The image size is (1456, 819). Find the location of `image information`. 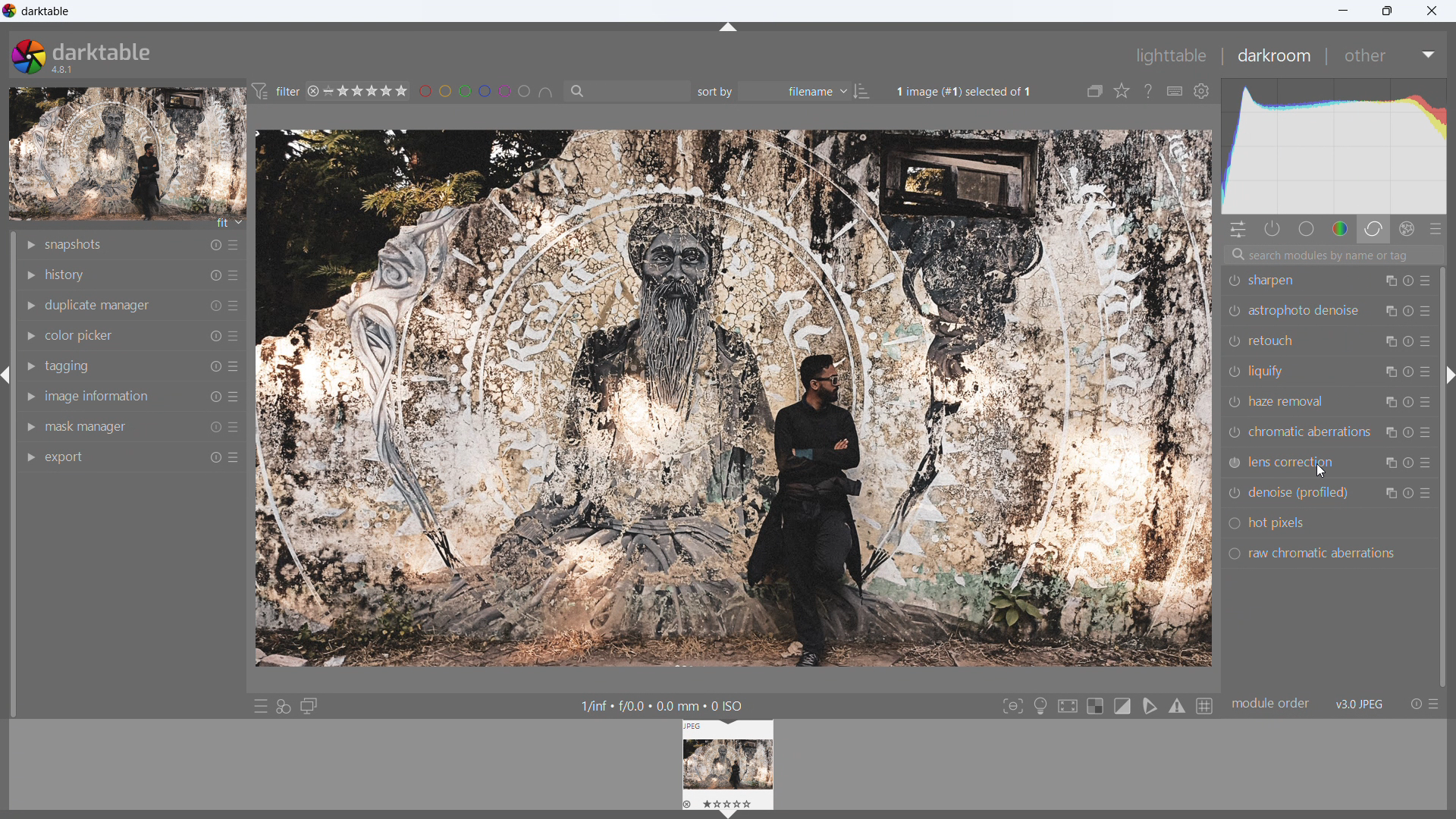

image information is located at coordinates (99, 396).